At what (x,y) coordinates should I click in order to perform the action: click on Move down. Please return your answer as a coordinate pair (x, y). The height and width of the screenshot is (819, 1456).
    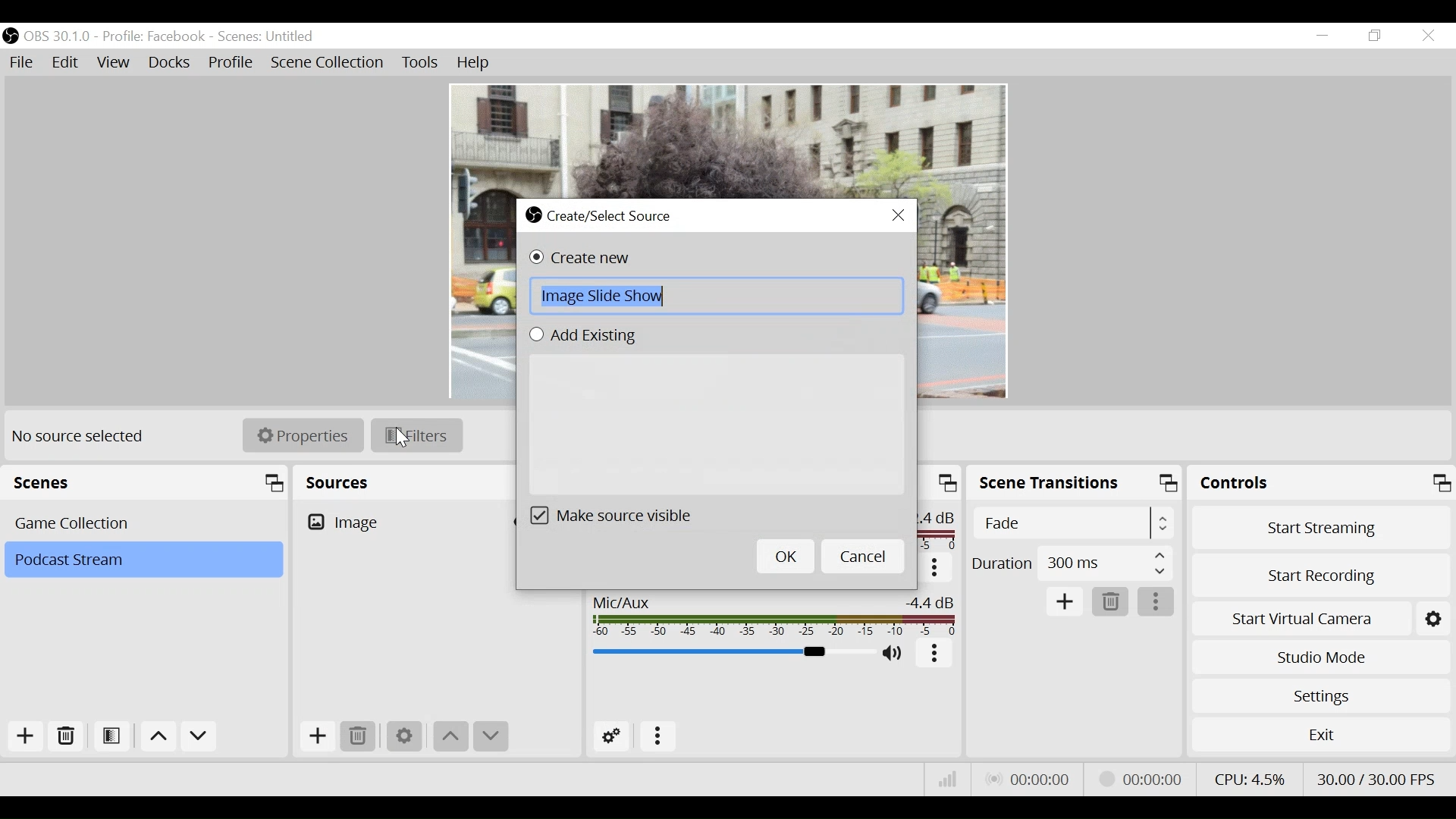
    Looking at the image, I should click on (490, 738).